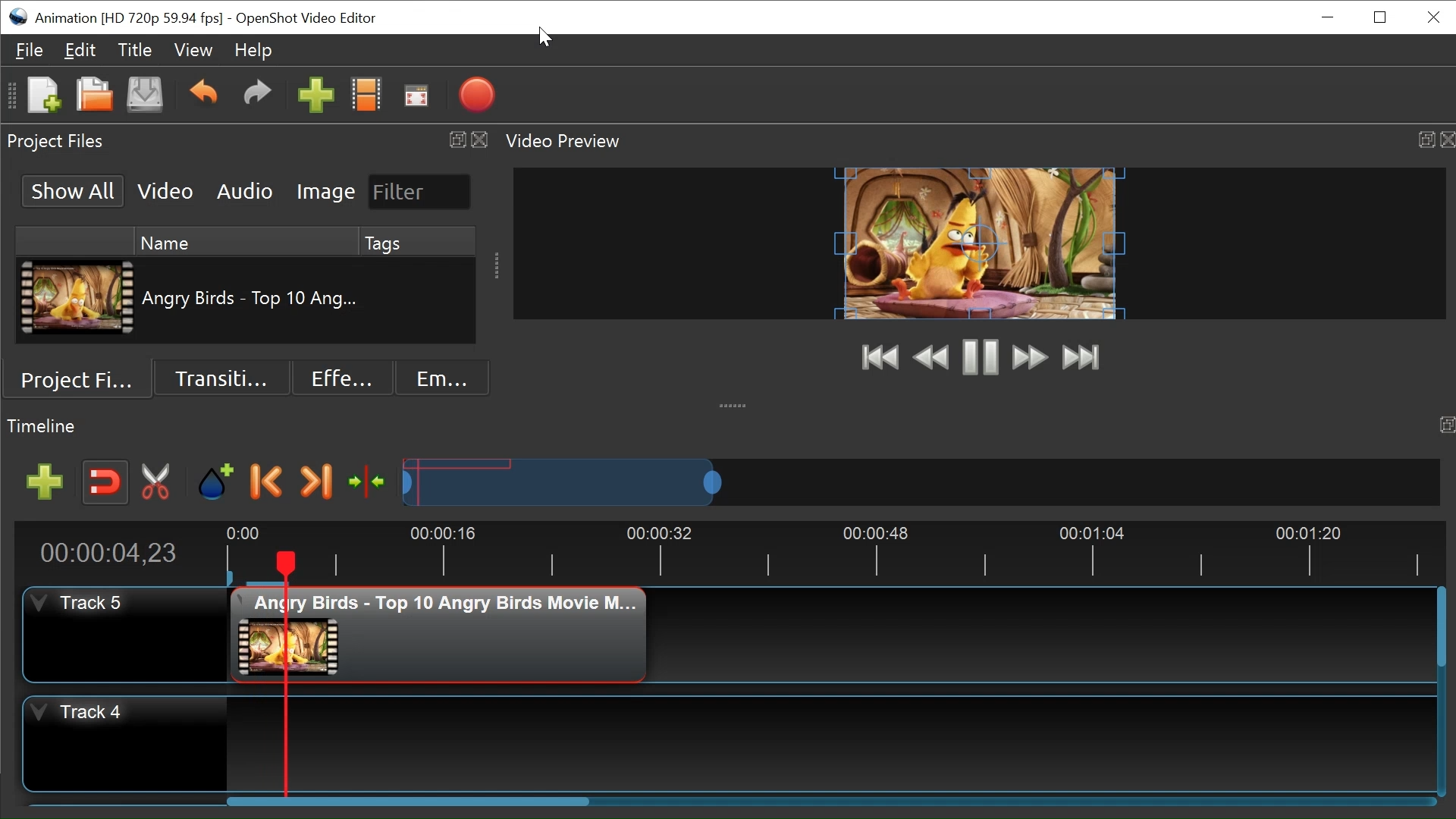 The image size is (1456, 819). What do you see at coordinates (42, 93) in the screenshot?
I see `New Project` at bounding box center [42, 93].